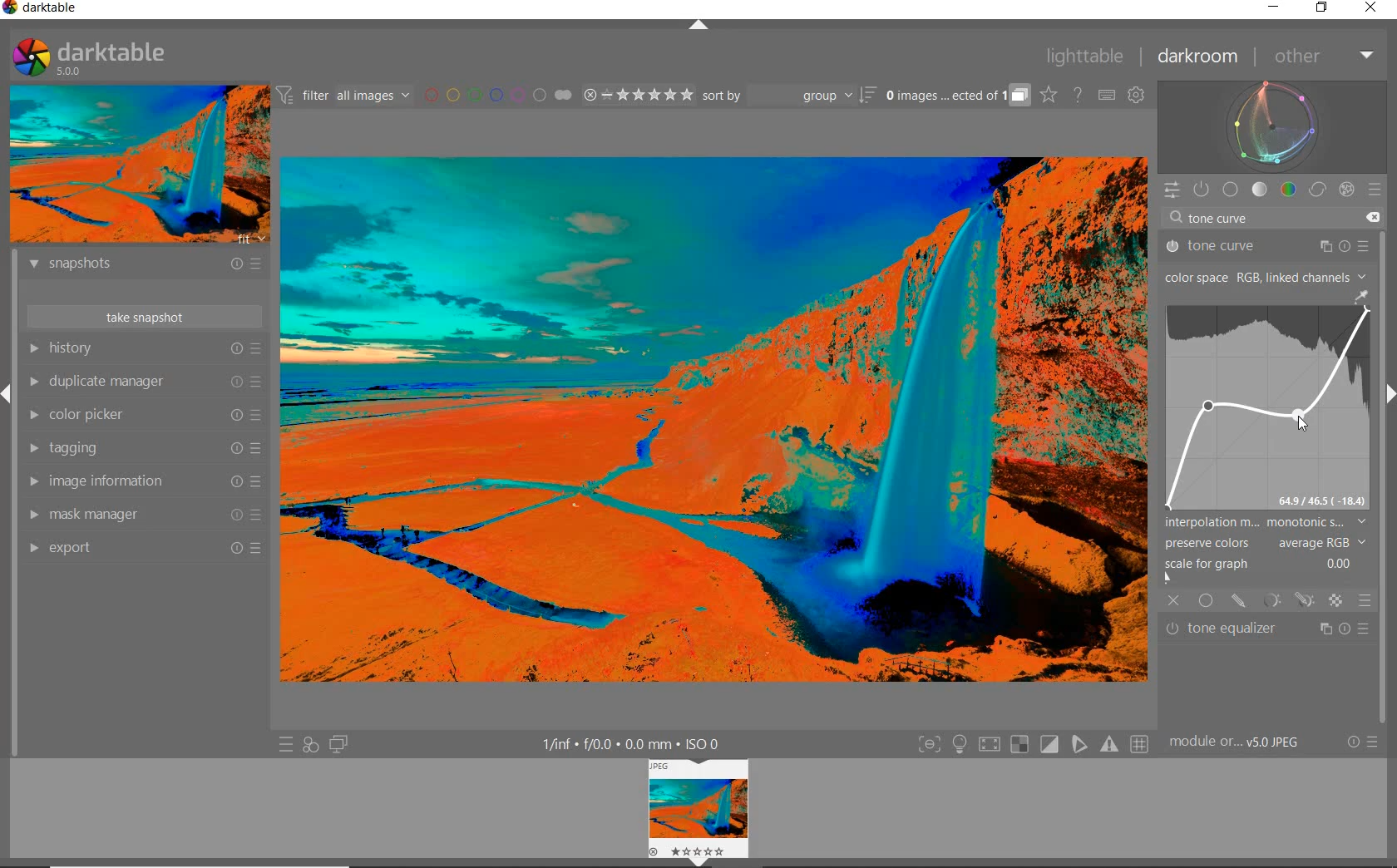  I want to click on duplicate manager, so click(144, 381).